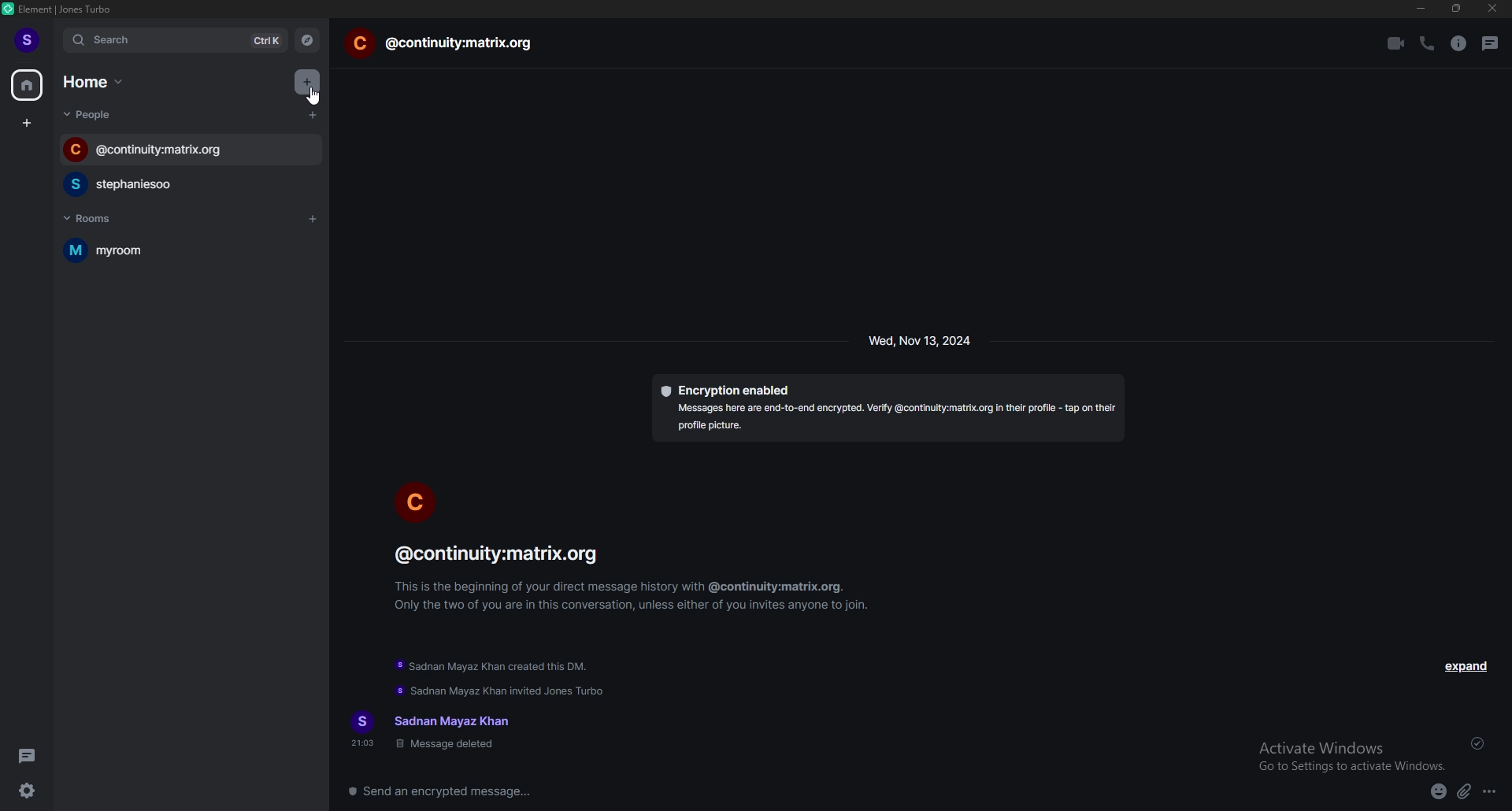  Describe the element at coordinates (312, 115) in the screenshot. I see `start chat` at that location.